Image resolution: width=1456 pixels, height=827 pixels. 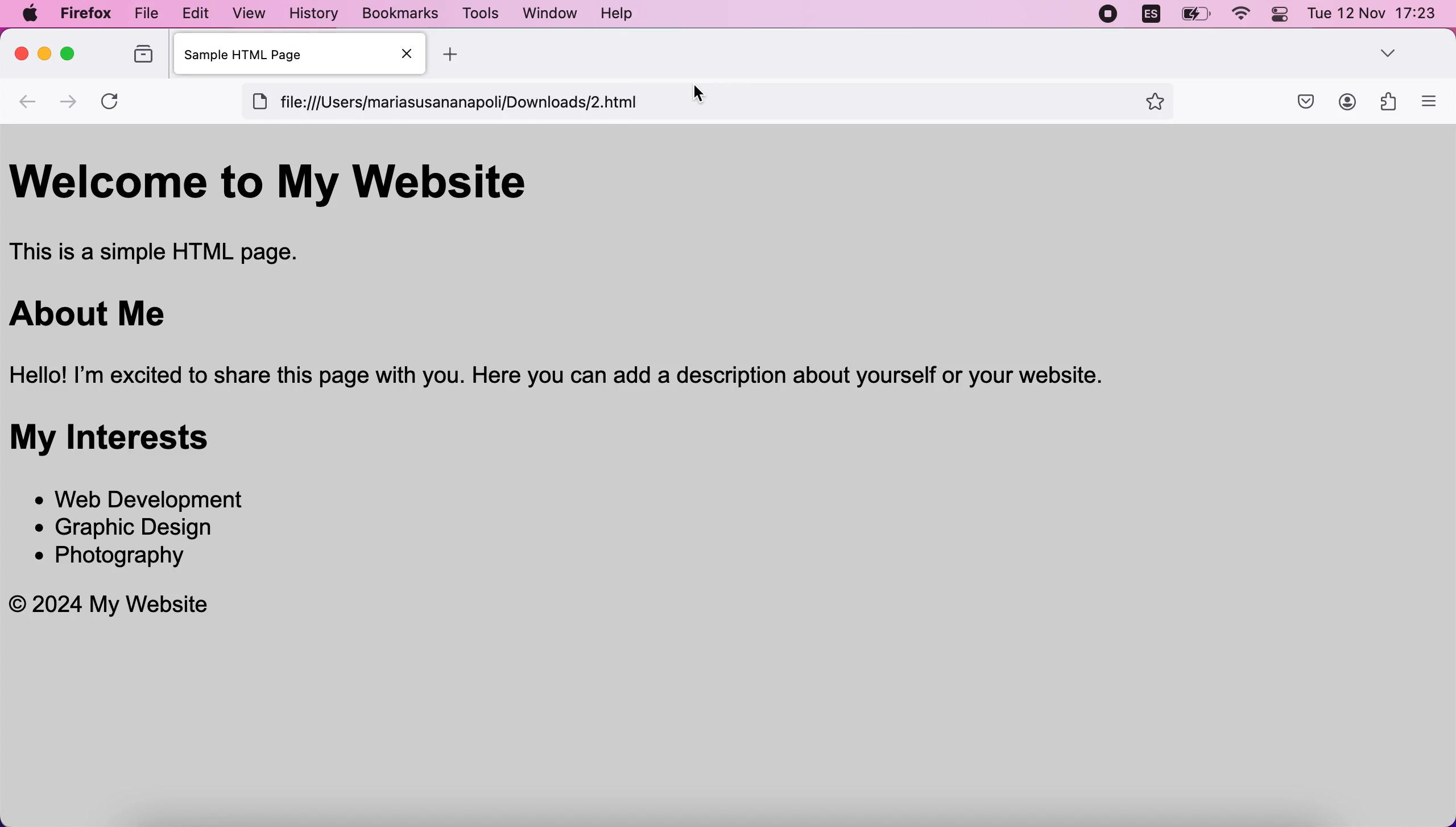 I want to click on backwards, so click(x=30, y=102).